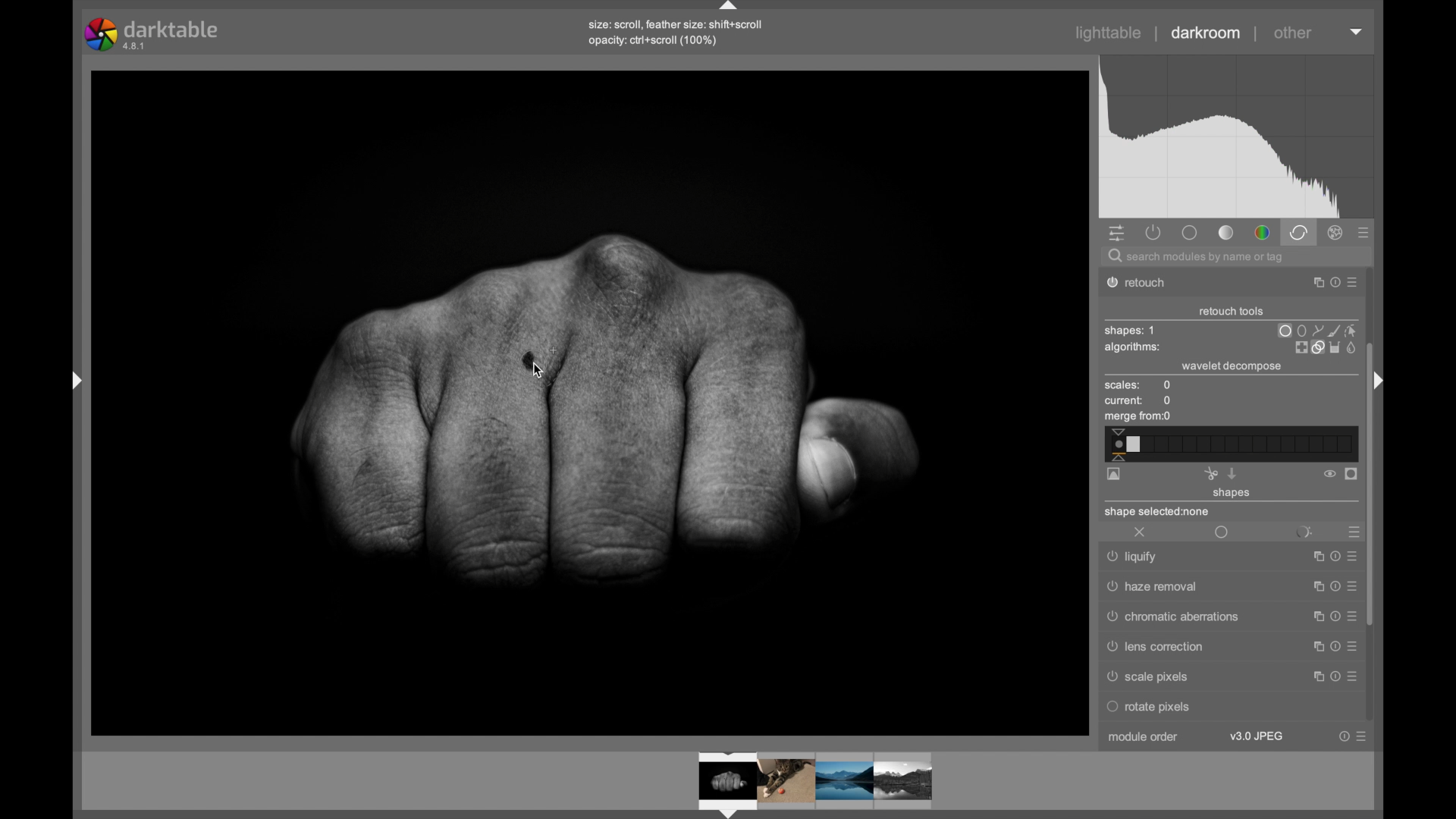 The width and height of the screenshot is (1456, 819). I want to click on tone, so click(1227, 233).